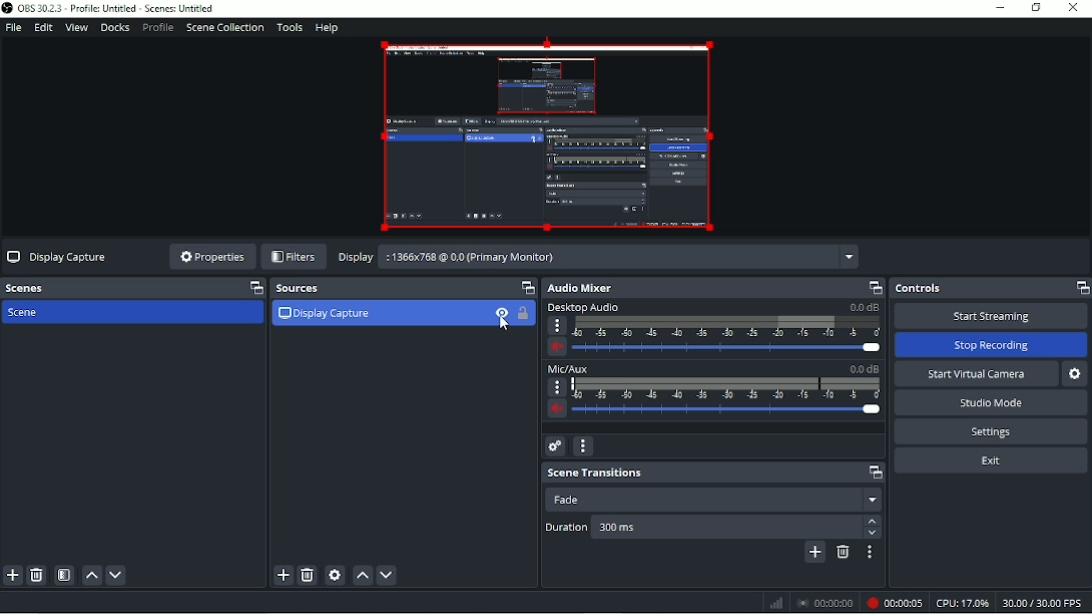 This screenshot has width=1092, height=614. What do you see at coordinates (114, 28) in the screenshot?
I see `Docks` at bounding box center [114, 28].